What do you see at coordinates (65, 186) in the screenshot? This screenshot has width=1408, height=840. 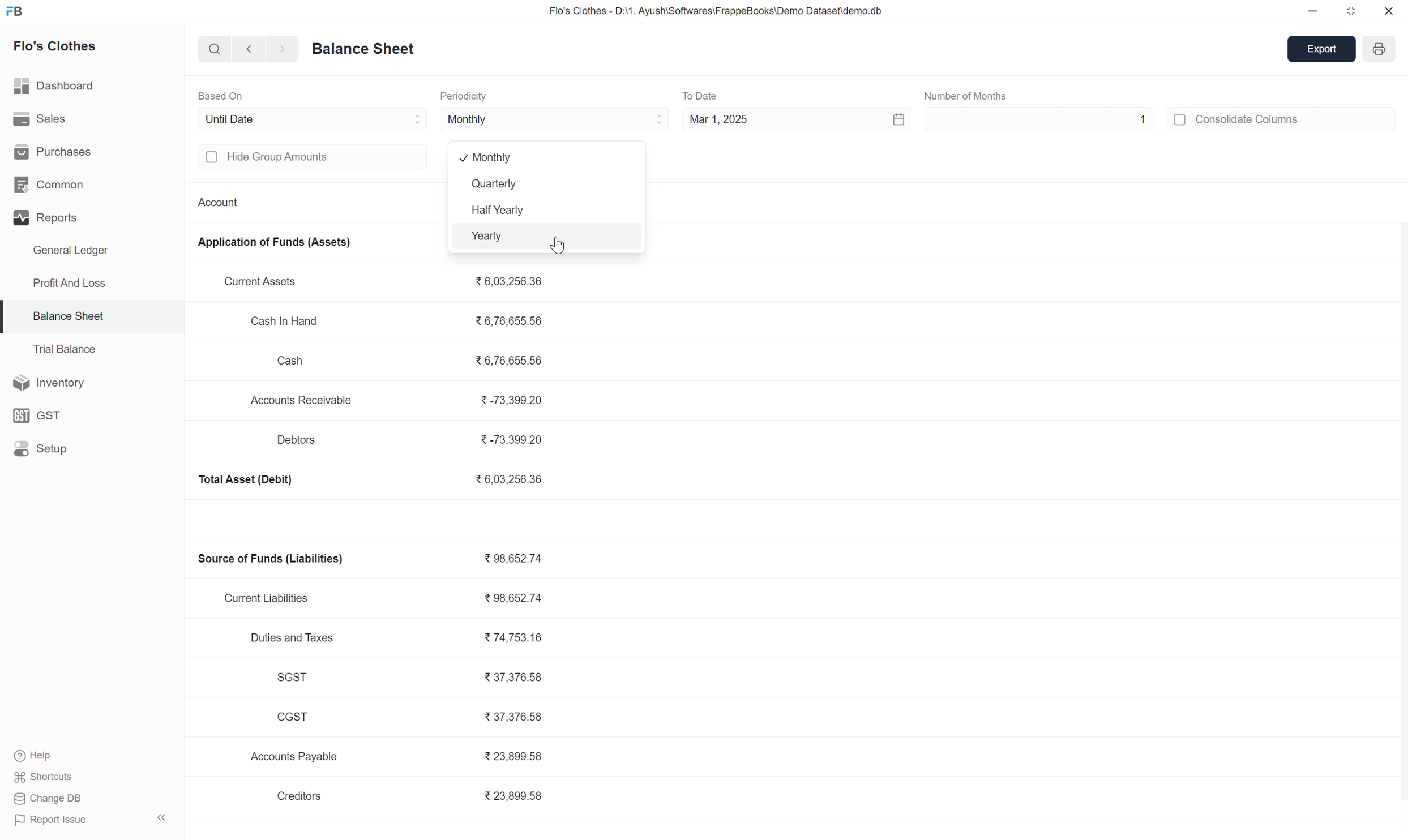 I see `Common` at bounding box center [65, 186].